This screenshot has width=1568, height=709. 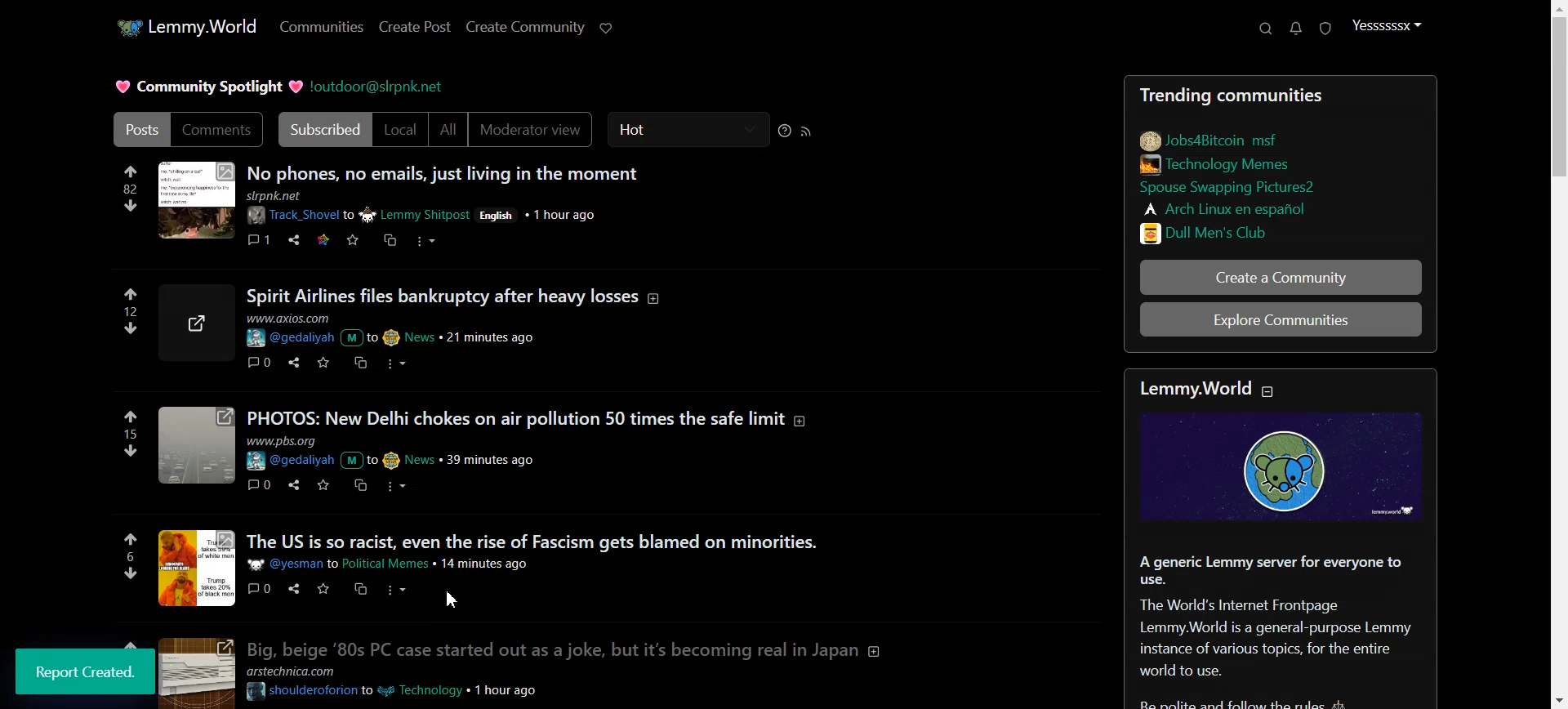 What do you see at coordinates (1281, 277) in the screenshot?
I see `Create a Community` at bounding box center [1281, 277].